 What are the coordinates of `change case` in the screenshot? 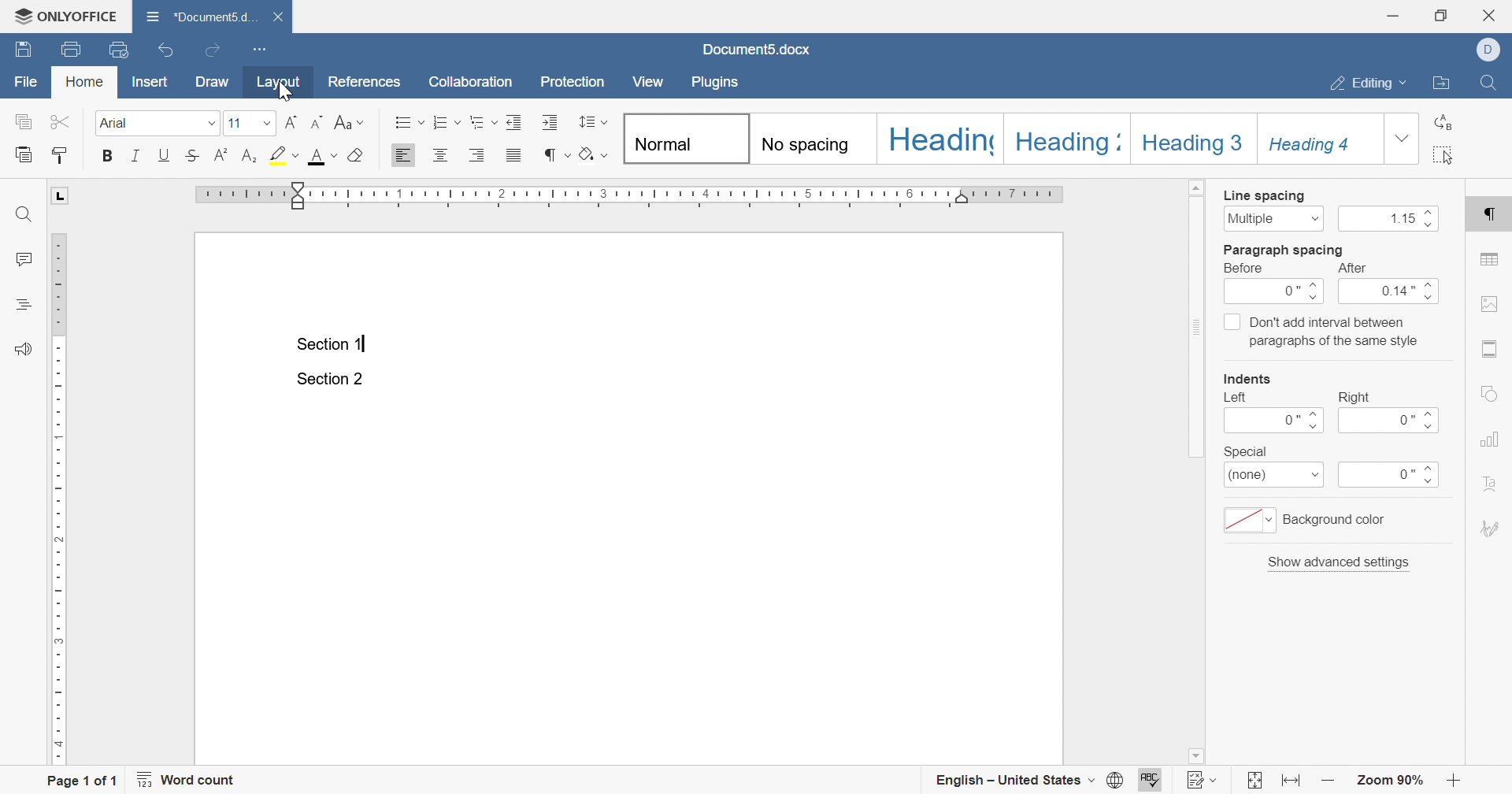 It's located at (349, 121).